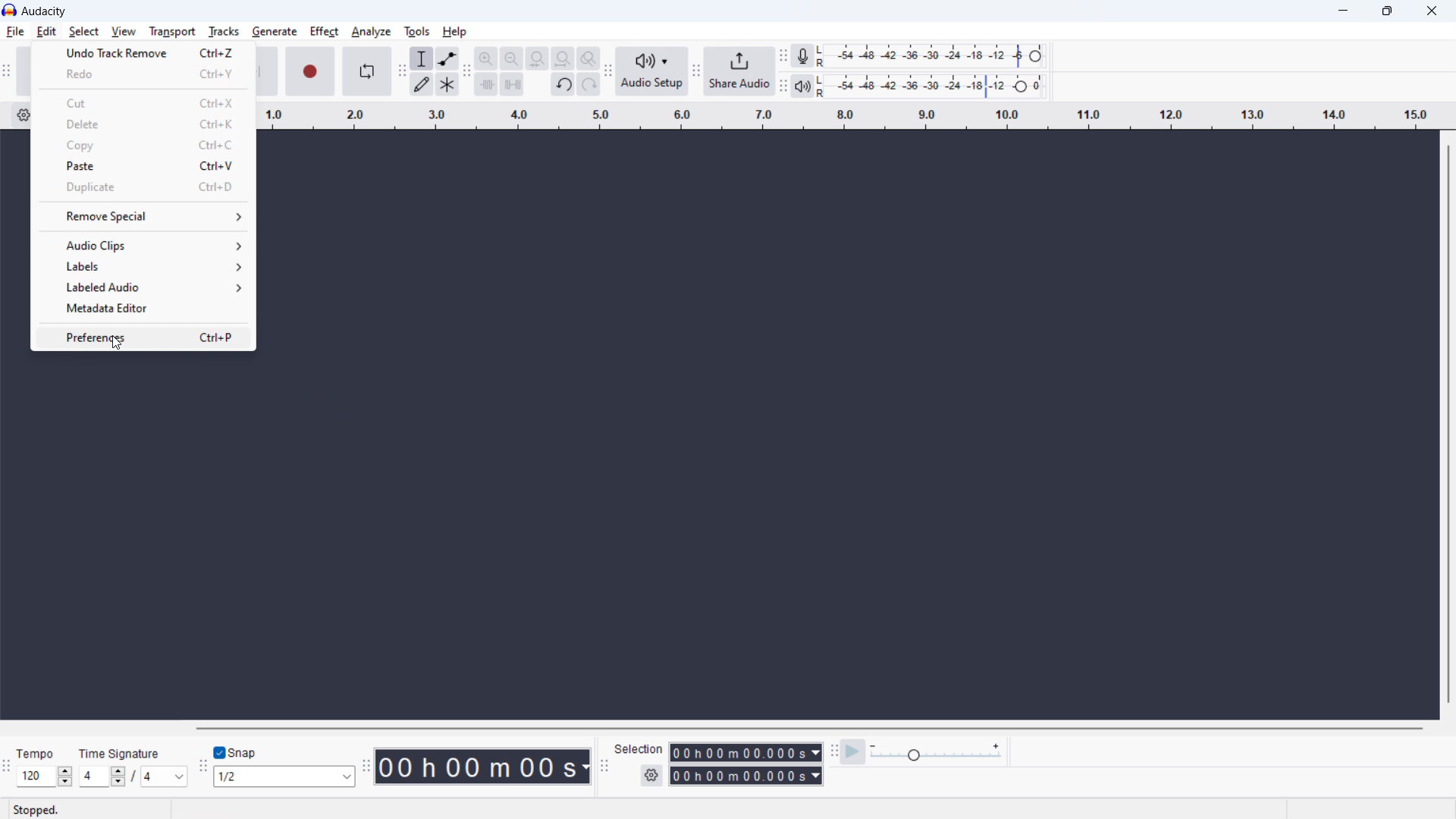  Describe the element at coordinates (833, 752) in the screenshot. I see `play at speed toolbar` at that location.